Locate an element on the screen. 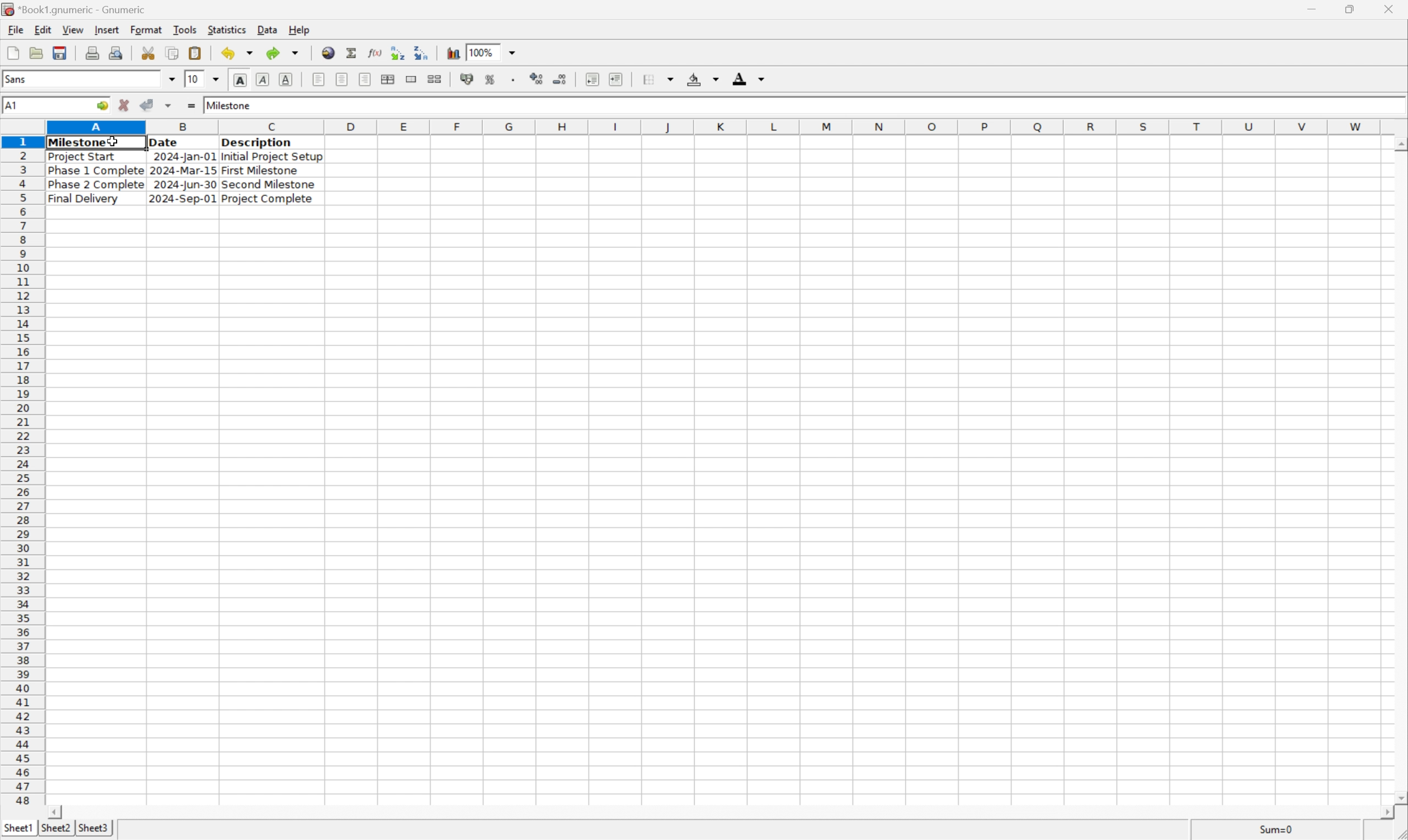 The height and width of the screenshot is (840, 1408). redo is located at coordinates (285, 52).